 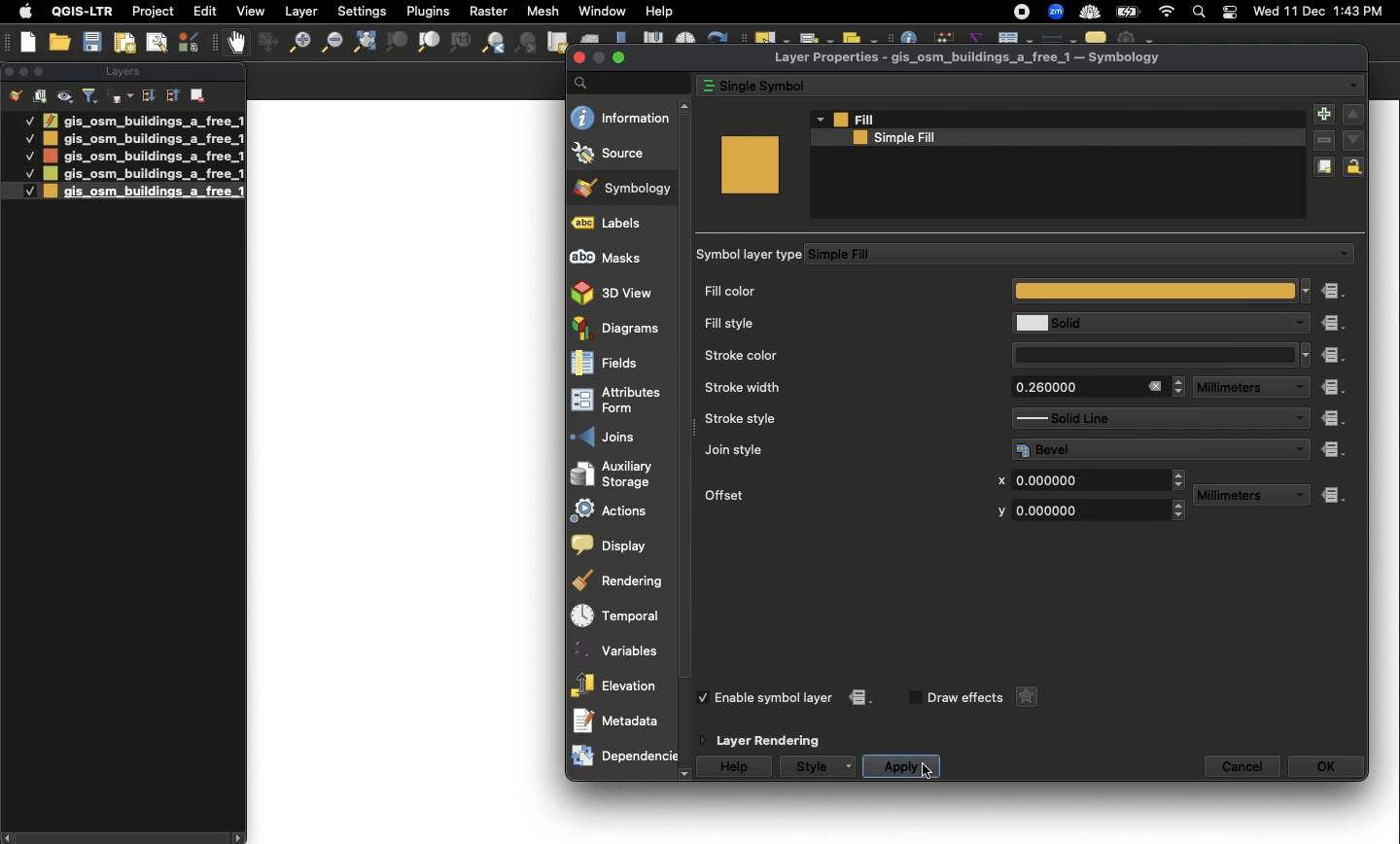 What do you see at coordinates (1064, 255) in the screenshot?
I see `Simple Fill` at bounding box center [1064, 255].